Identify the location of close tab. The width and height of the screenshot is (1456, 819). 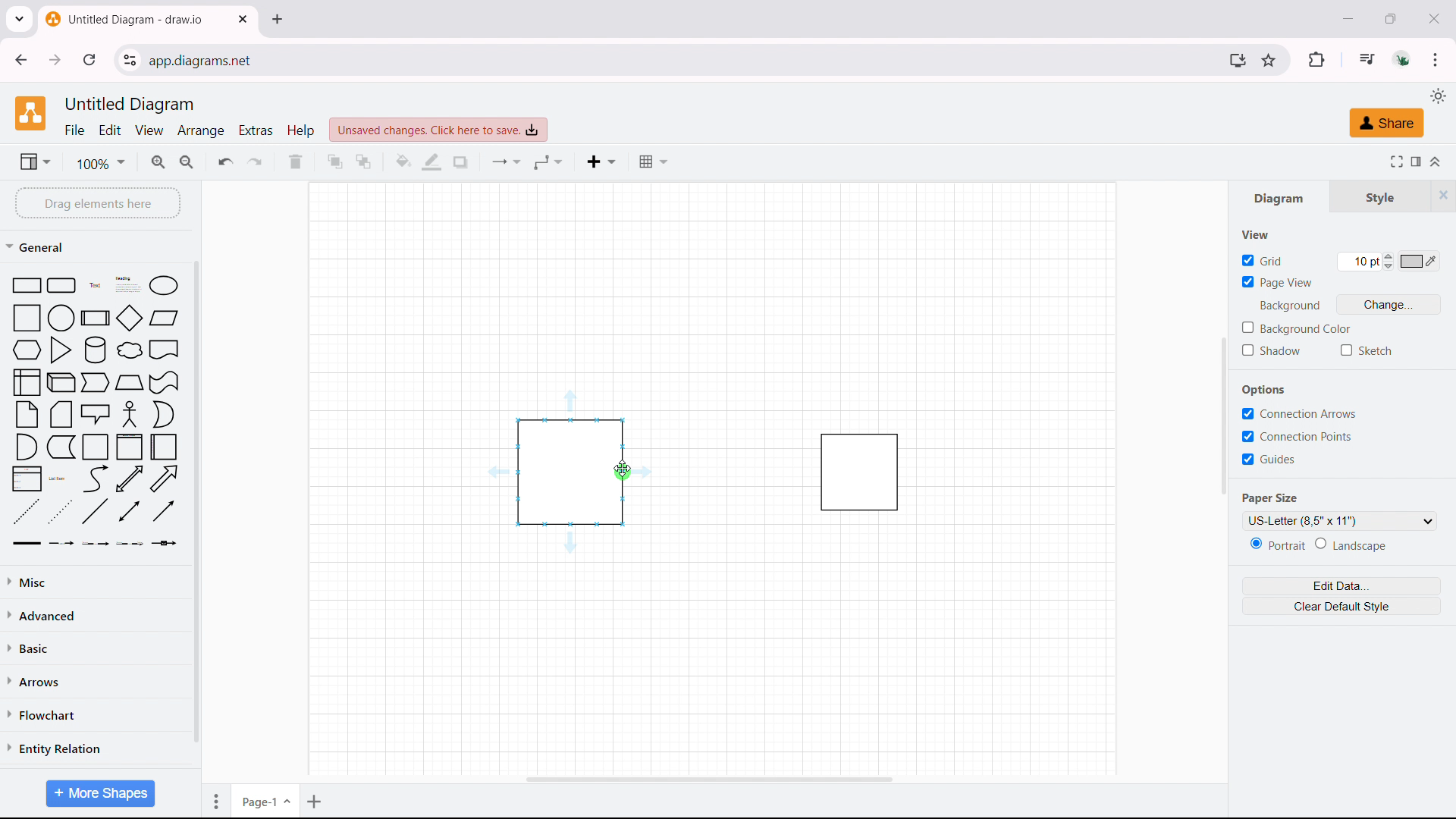
(278, 19).